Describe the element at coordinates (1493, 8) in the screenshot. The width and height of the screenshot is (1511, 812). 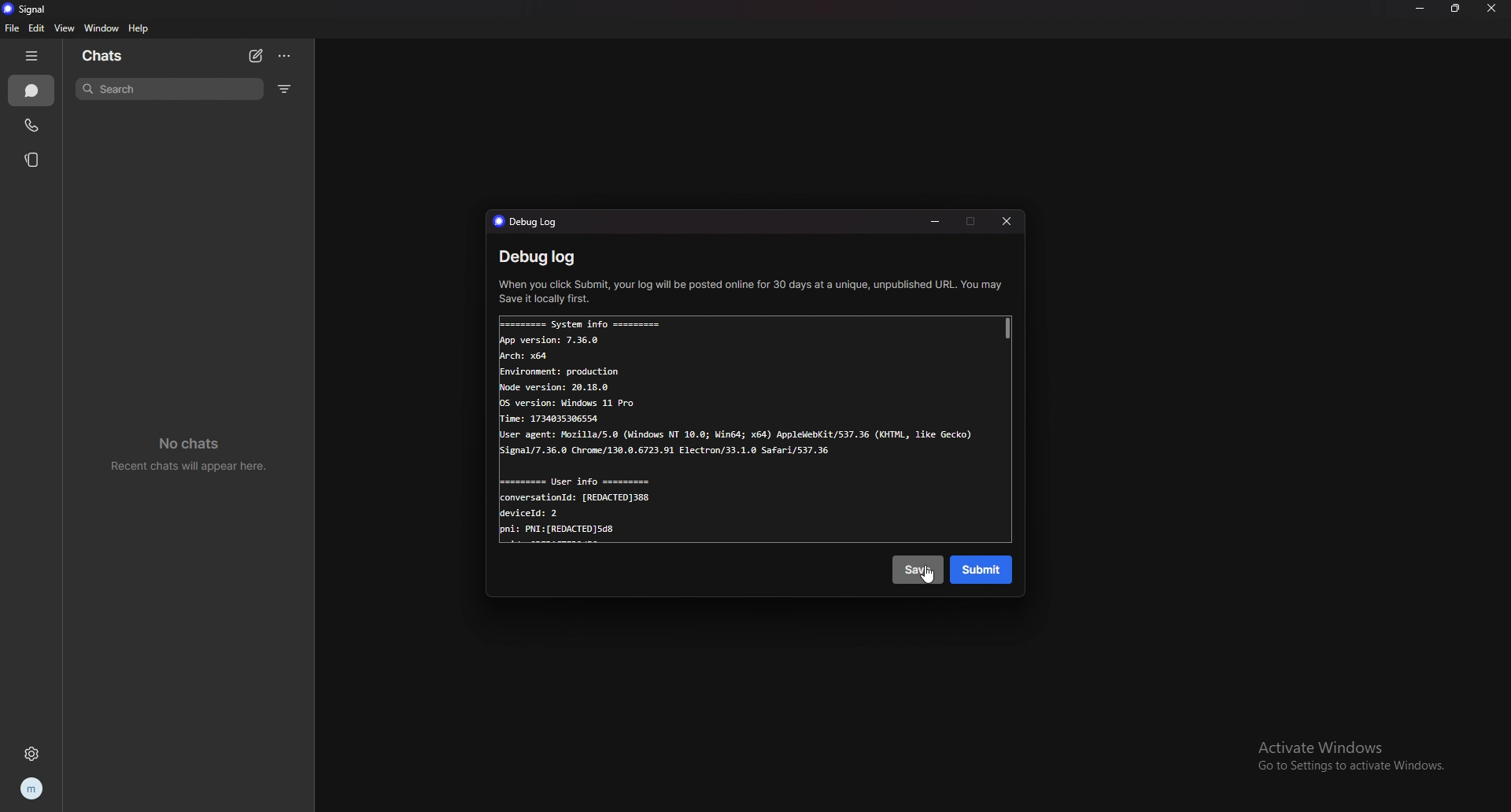
I see `close` at that location.